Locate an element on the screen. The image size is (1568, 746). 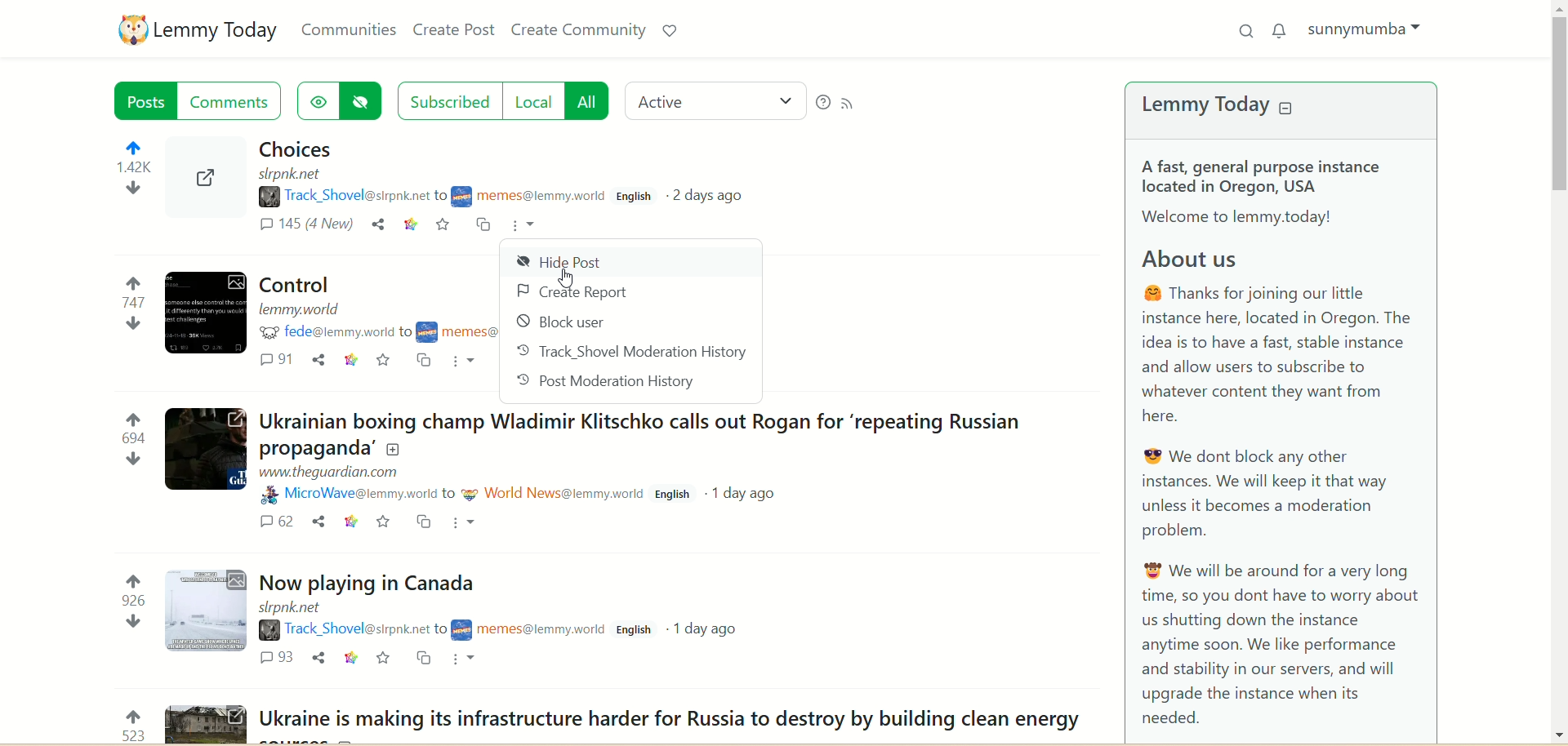
block user is located at coordinates (567, 323).